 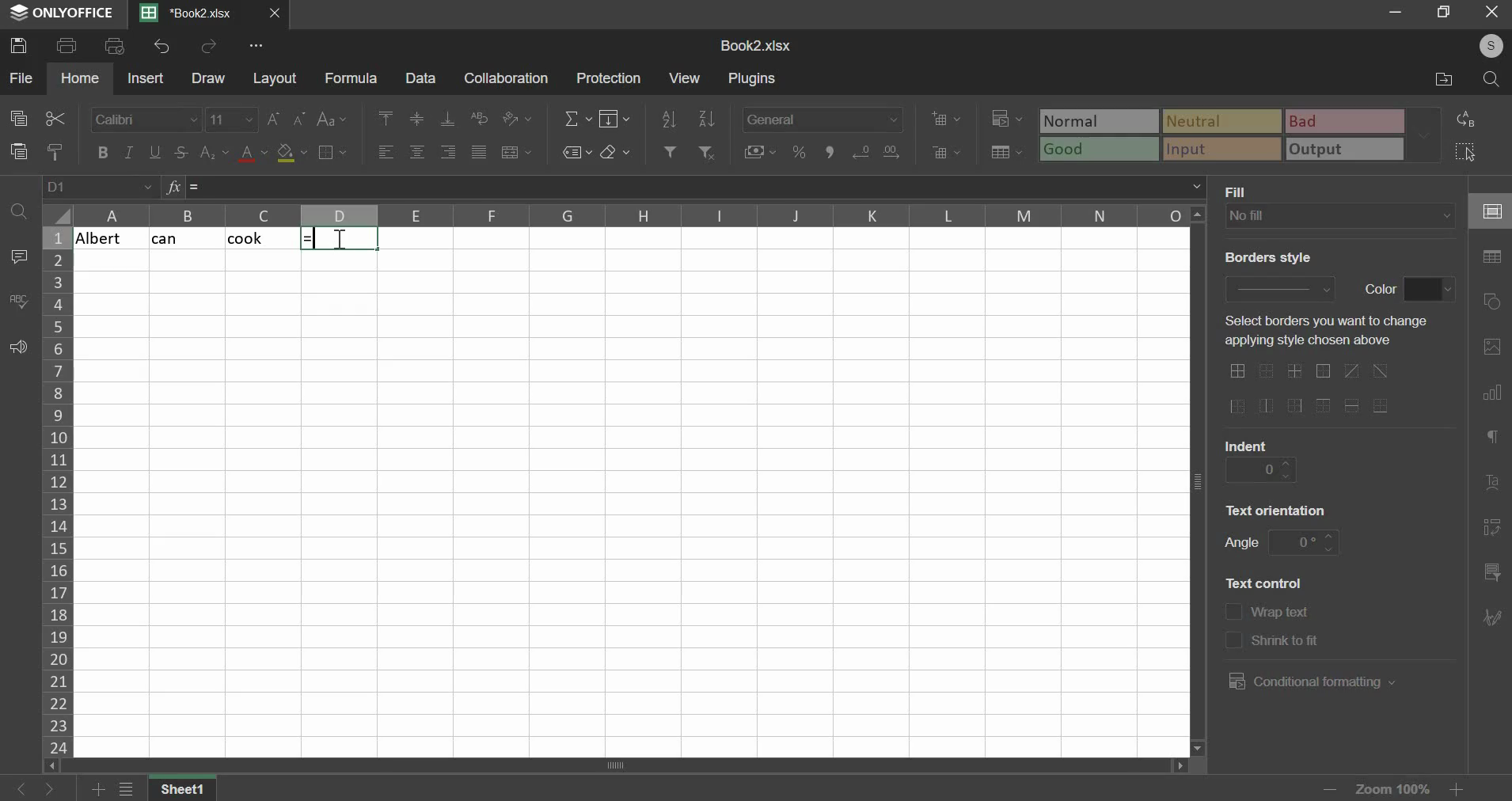 I want to click on angle, so click(x=1305, y=541).